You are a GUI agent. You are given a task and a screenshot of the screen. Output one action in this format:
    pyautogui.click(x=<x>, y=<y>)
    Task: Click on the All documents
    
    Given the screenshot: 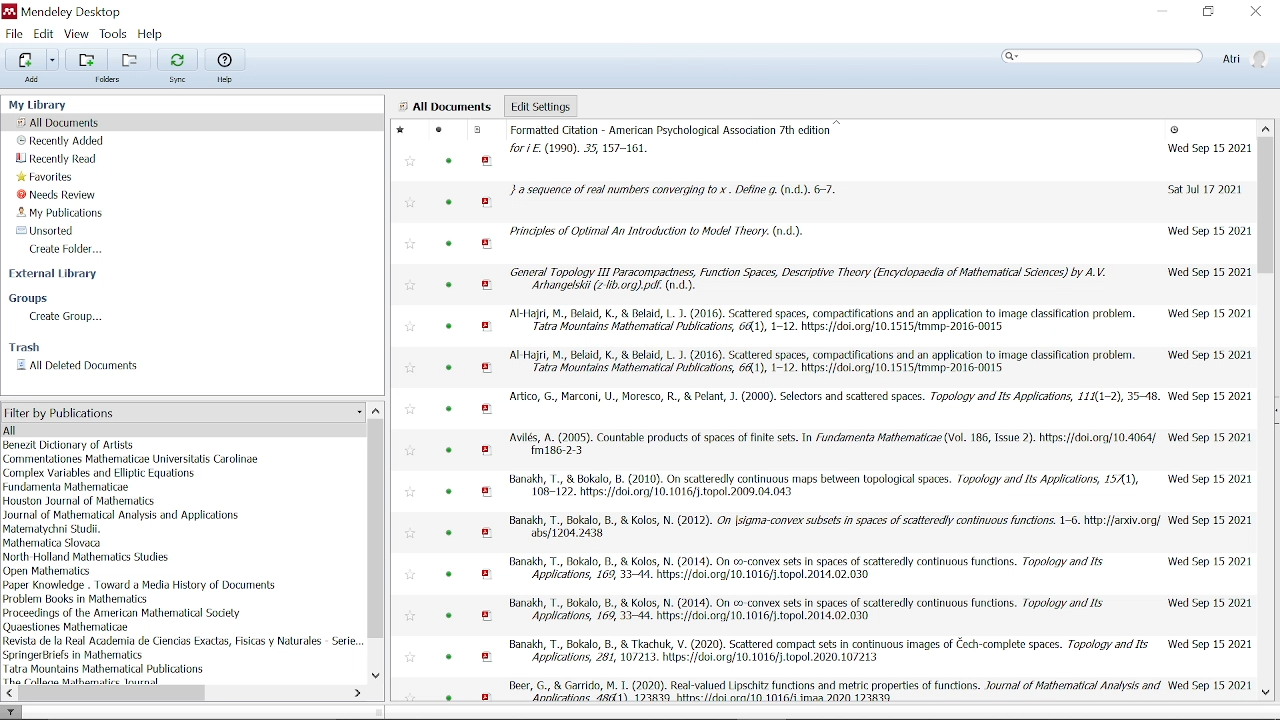 What is the action you would take?
    pyautogui.click(x=445, y=107)
    